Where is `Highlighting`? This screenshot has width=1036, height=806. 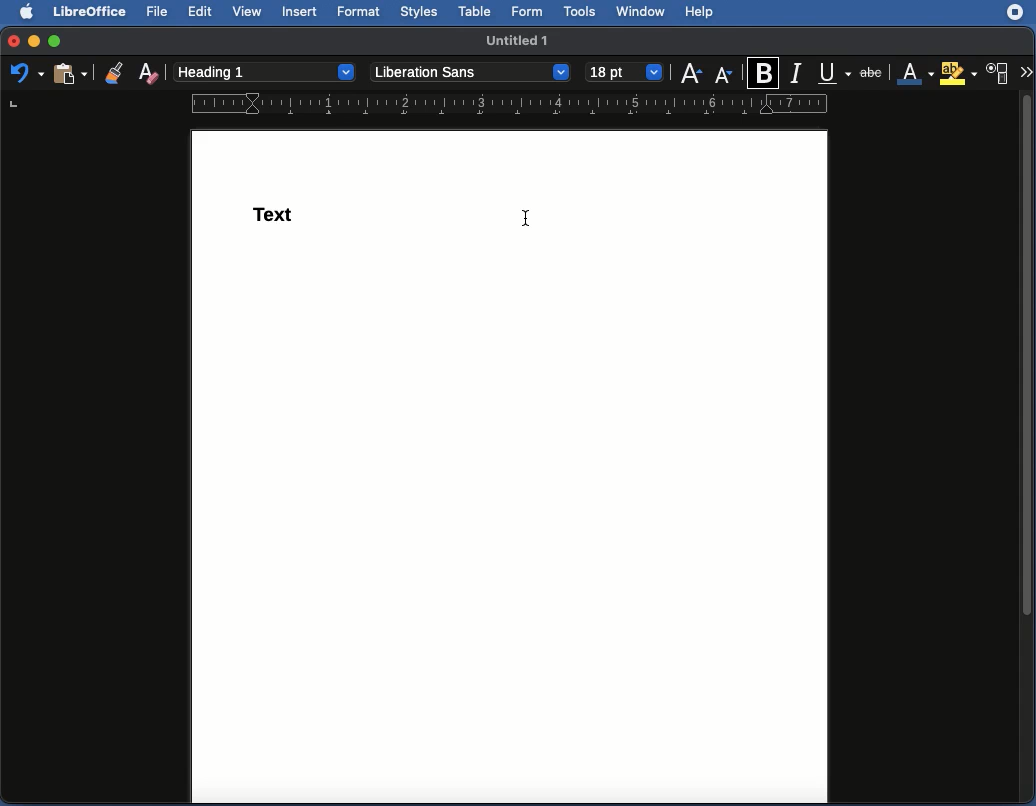
Highlighting is located at coordinates (958, 73).